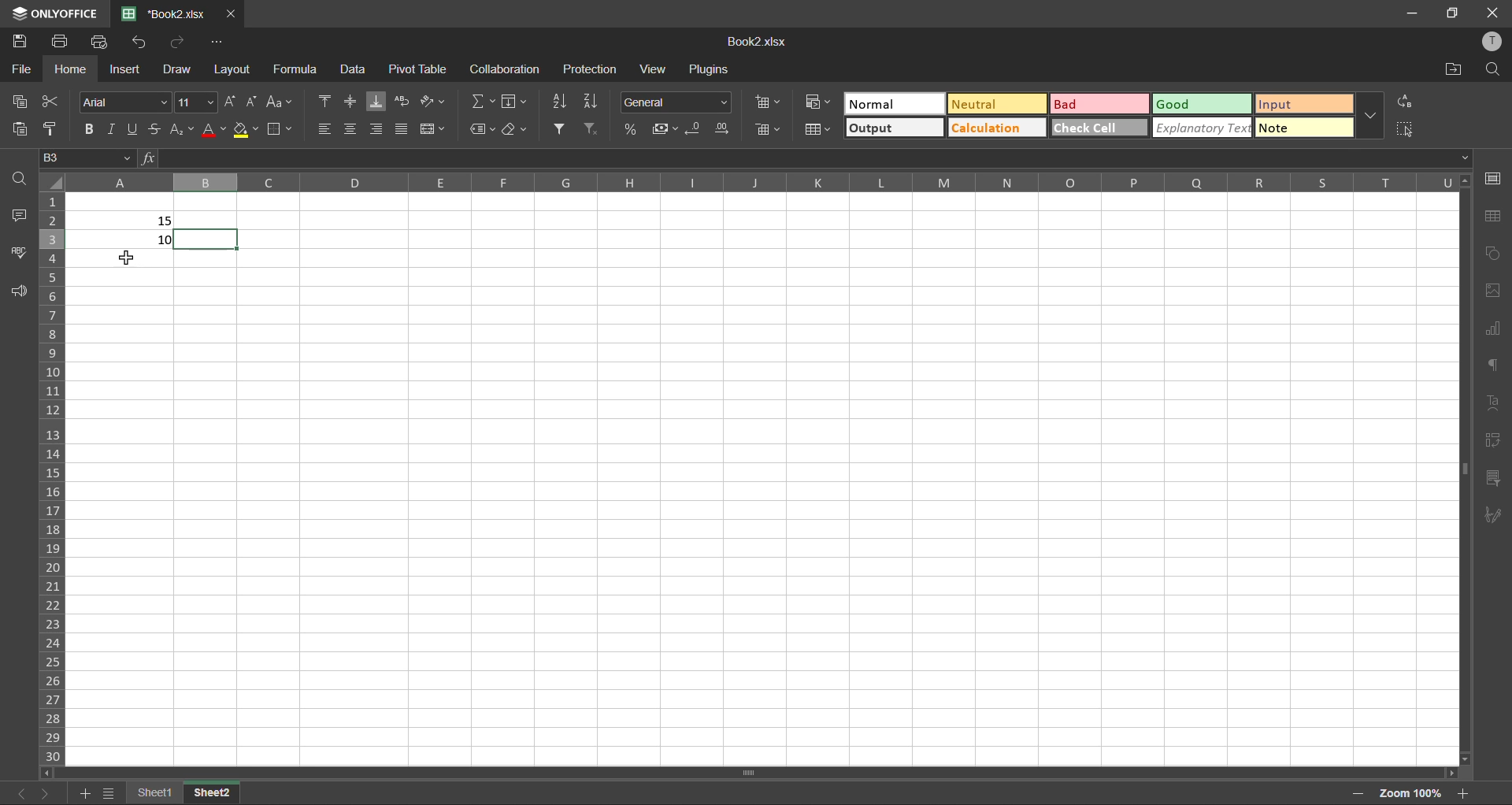 The height and width of the screenshot is (805, 1512). Describe the element at coordinates (154, 127) in the screenshot. I see `strikethrough` at that location.